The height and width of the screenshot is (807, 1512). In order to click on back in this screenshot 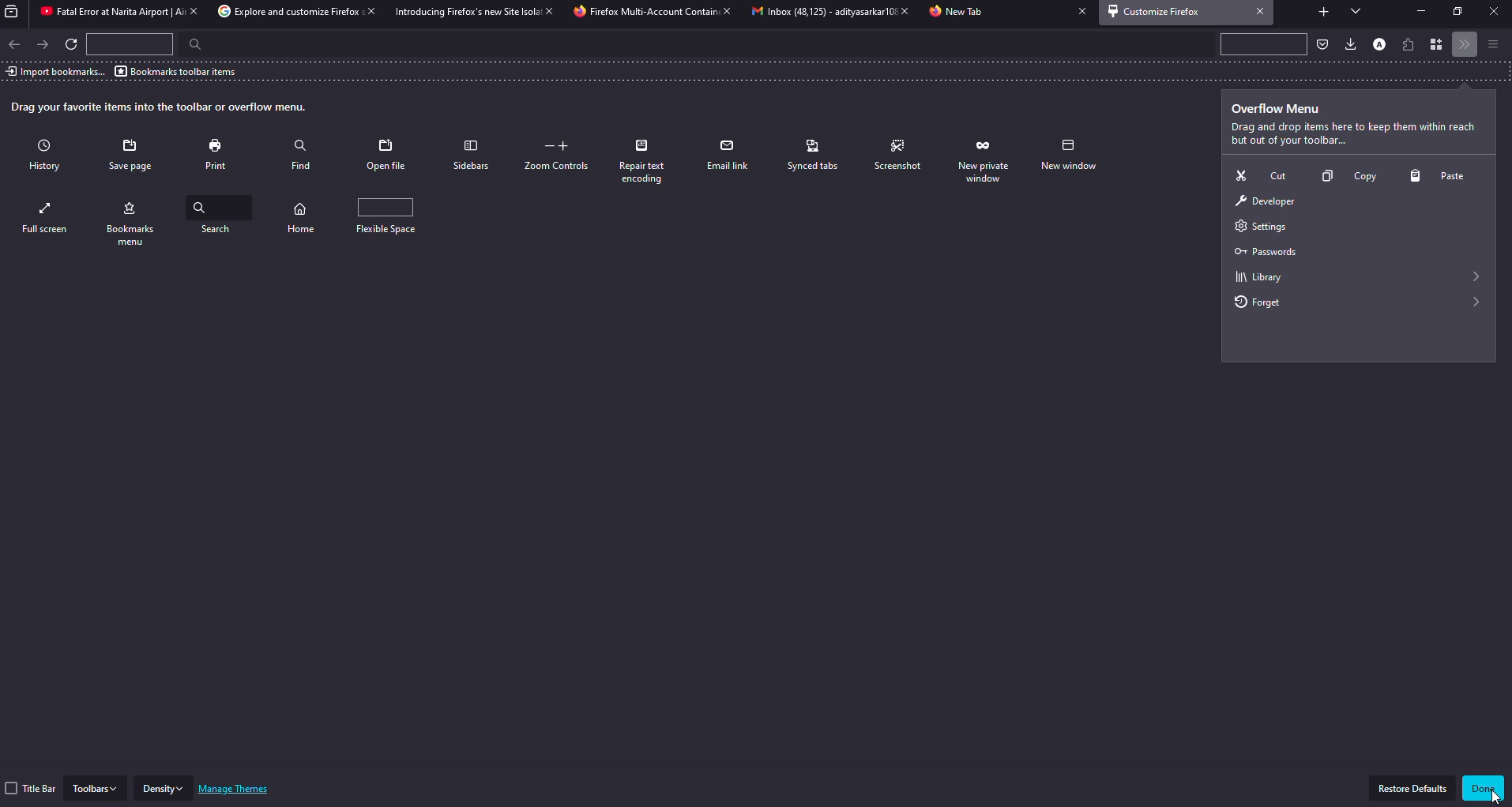, I will do `click(15, 44)`.